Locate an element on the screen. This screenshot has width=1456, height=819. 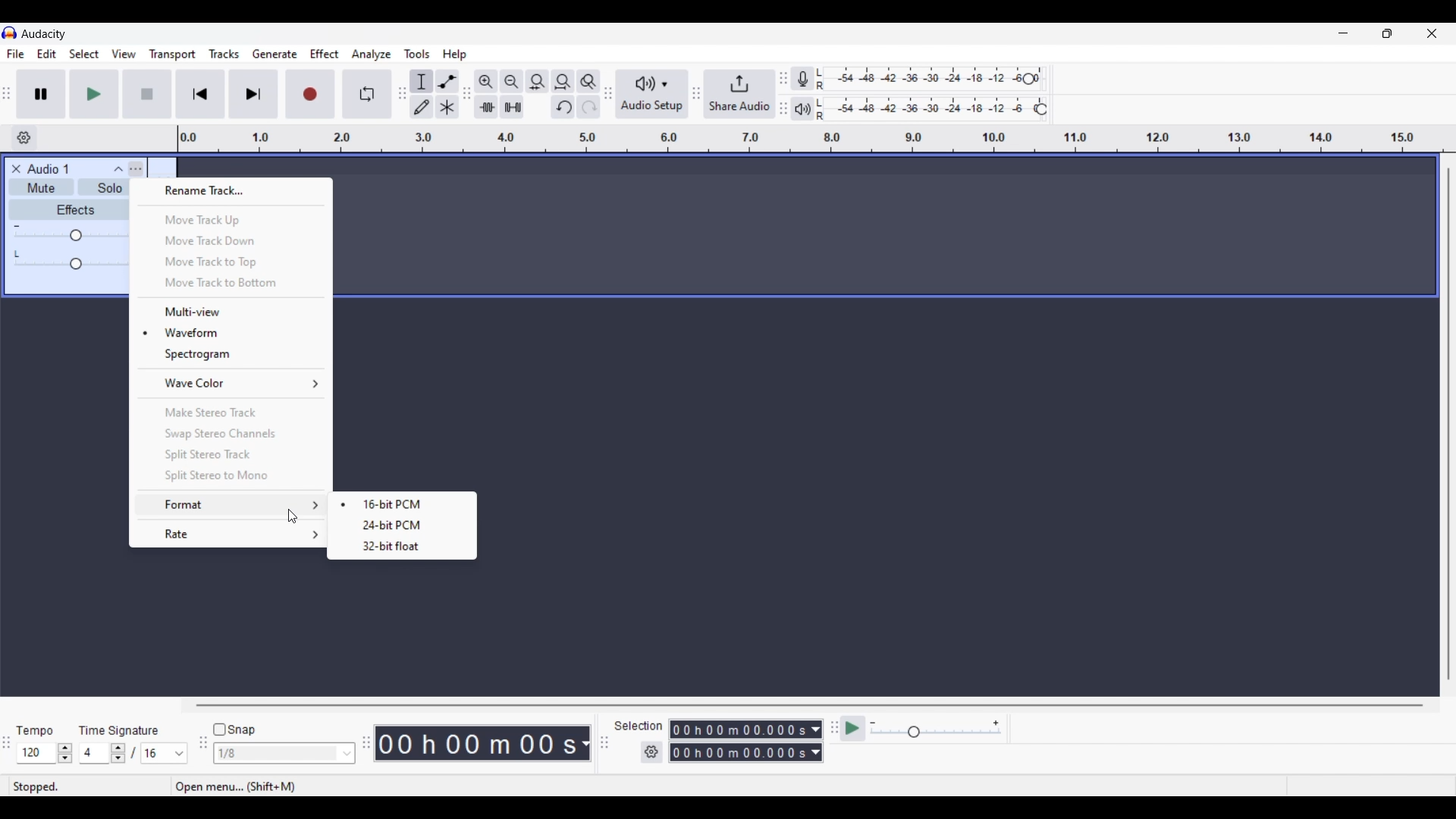
Change recording level is located at coordinates (1028, 78).